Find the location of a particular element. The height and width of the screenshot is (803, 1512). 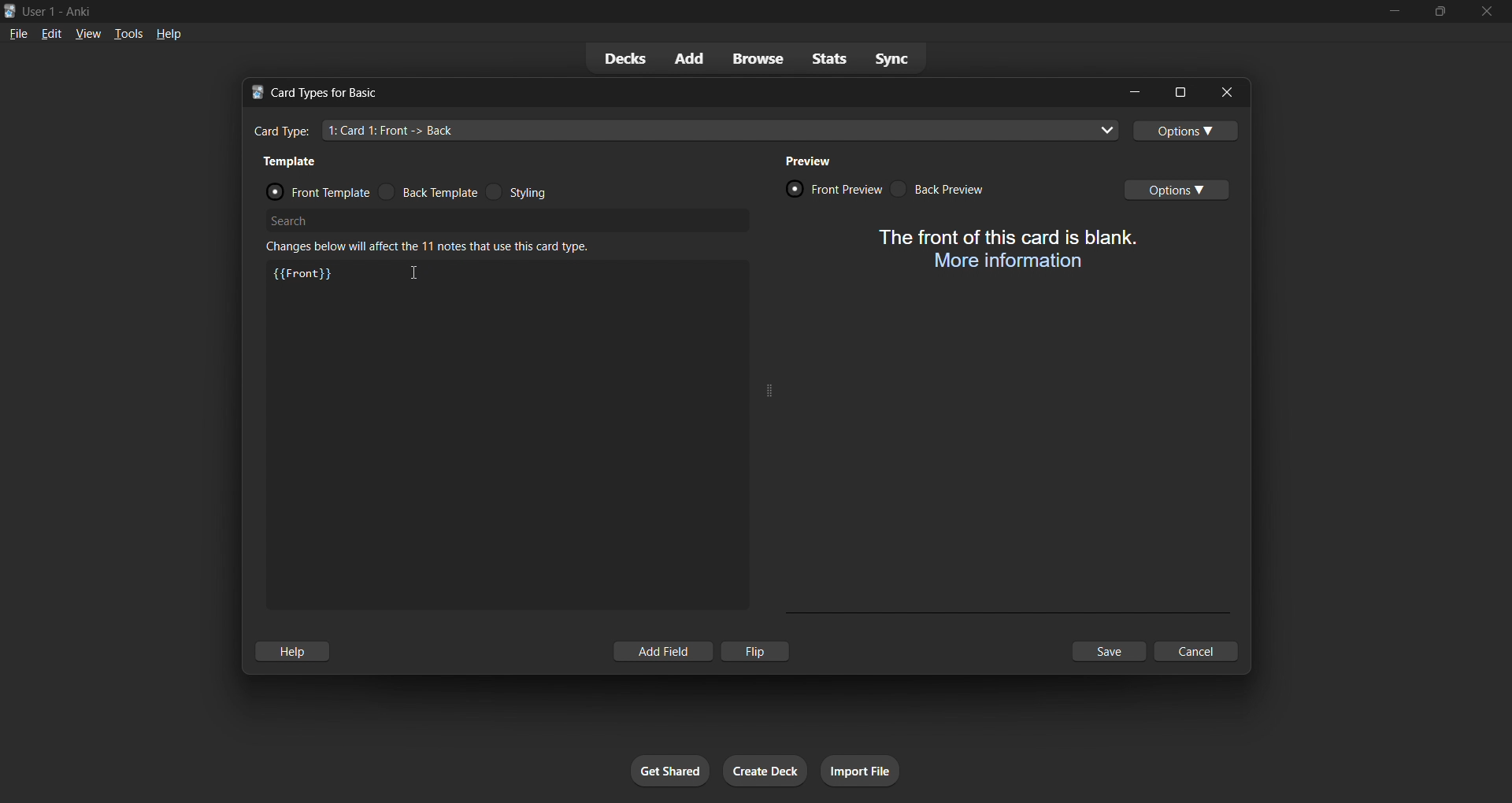

template is located at coordinates (295, 160).